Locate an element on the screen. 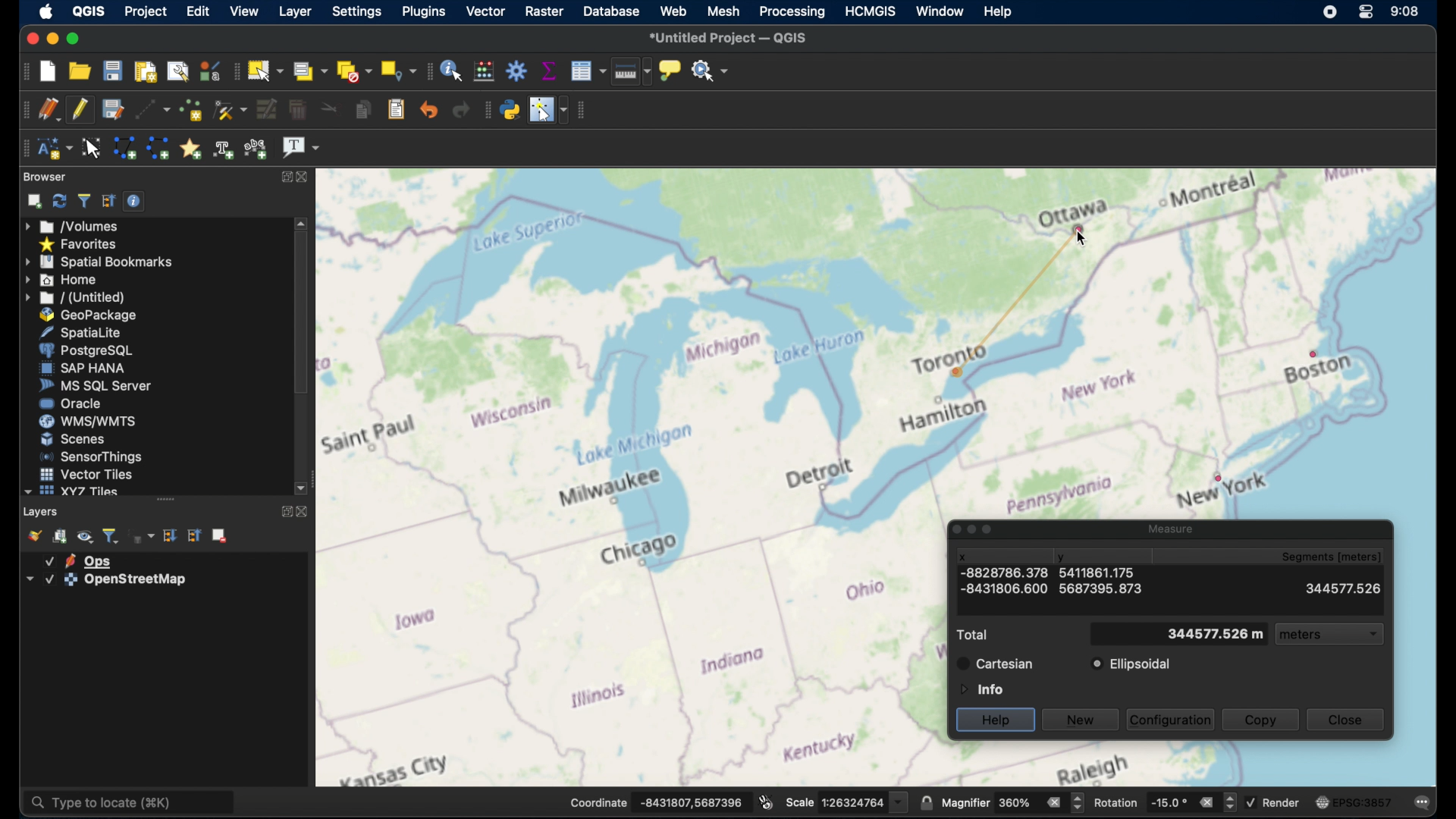  save layer edits is located at coordinates (111, 108).